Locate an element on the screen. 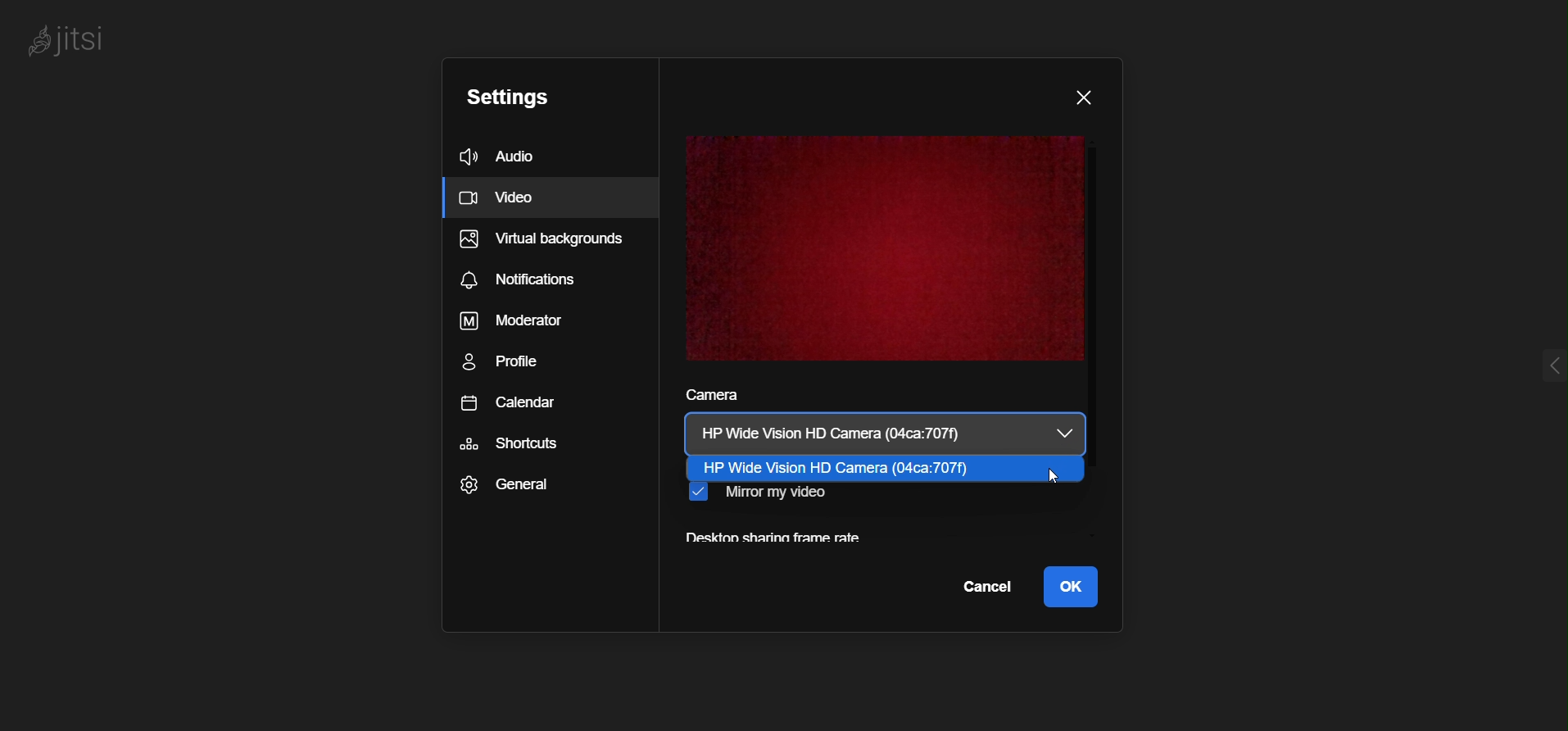 The width and height of the screenshot is (1568, 731). Video is located at coordinates (553, 198).